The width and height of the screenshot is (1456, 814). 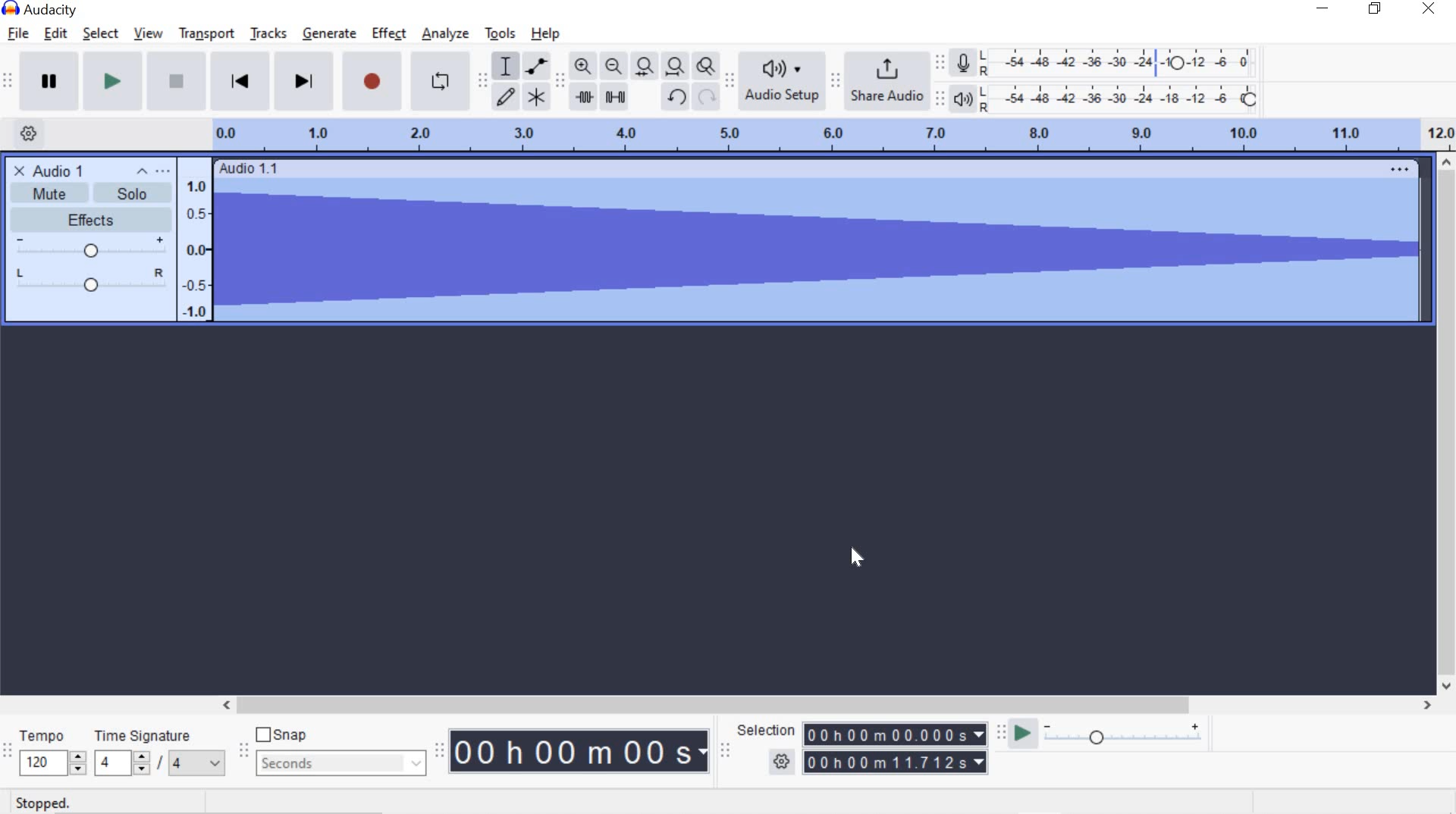 I want to click on collapse, so click(x=143, y=173).